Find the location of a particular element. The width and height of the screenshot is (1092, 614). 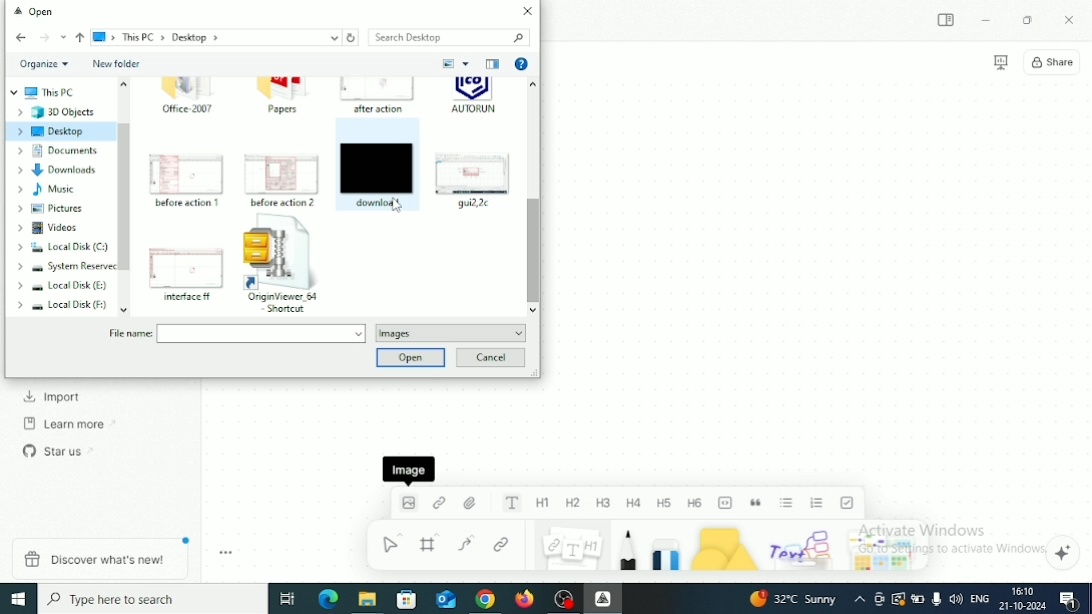

Google Chrome is located at coordinates (485, 599).